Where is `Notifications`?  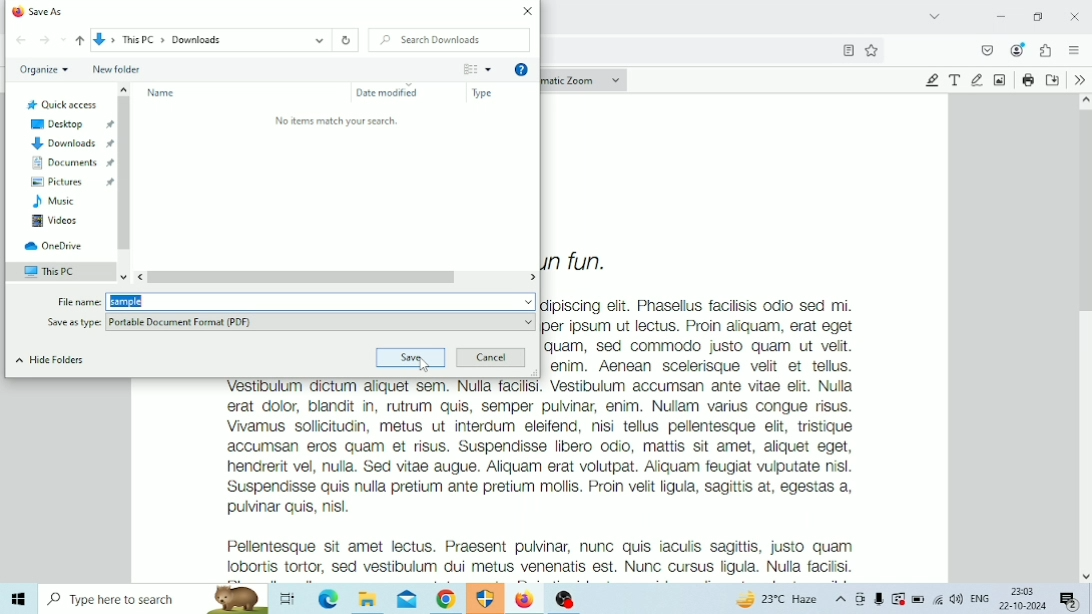
Notifications is located at coordinates (1070, 601).